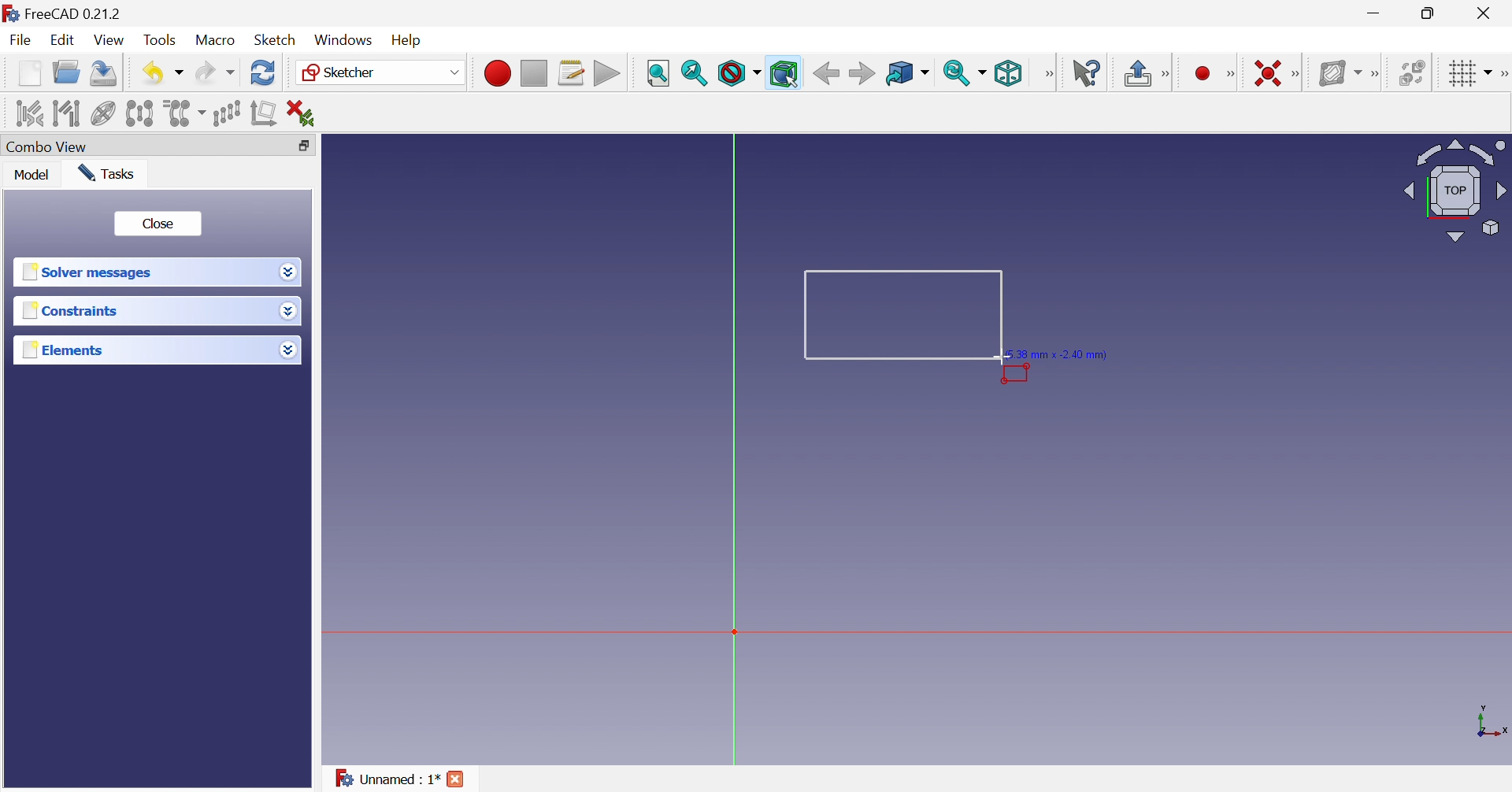 This screenshot has height=792, width=1512. I want to click on Switch space, so click(1414, 72).